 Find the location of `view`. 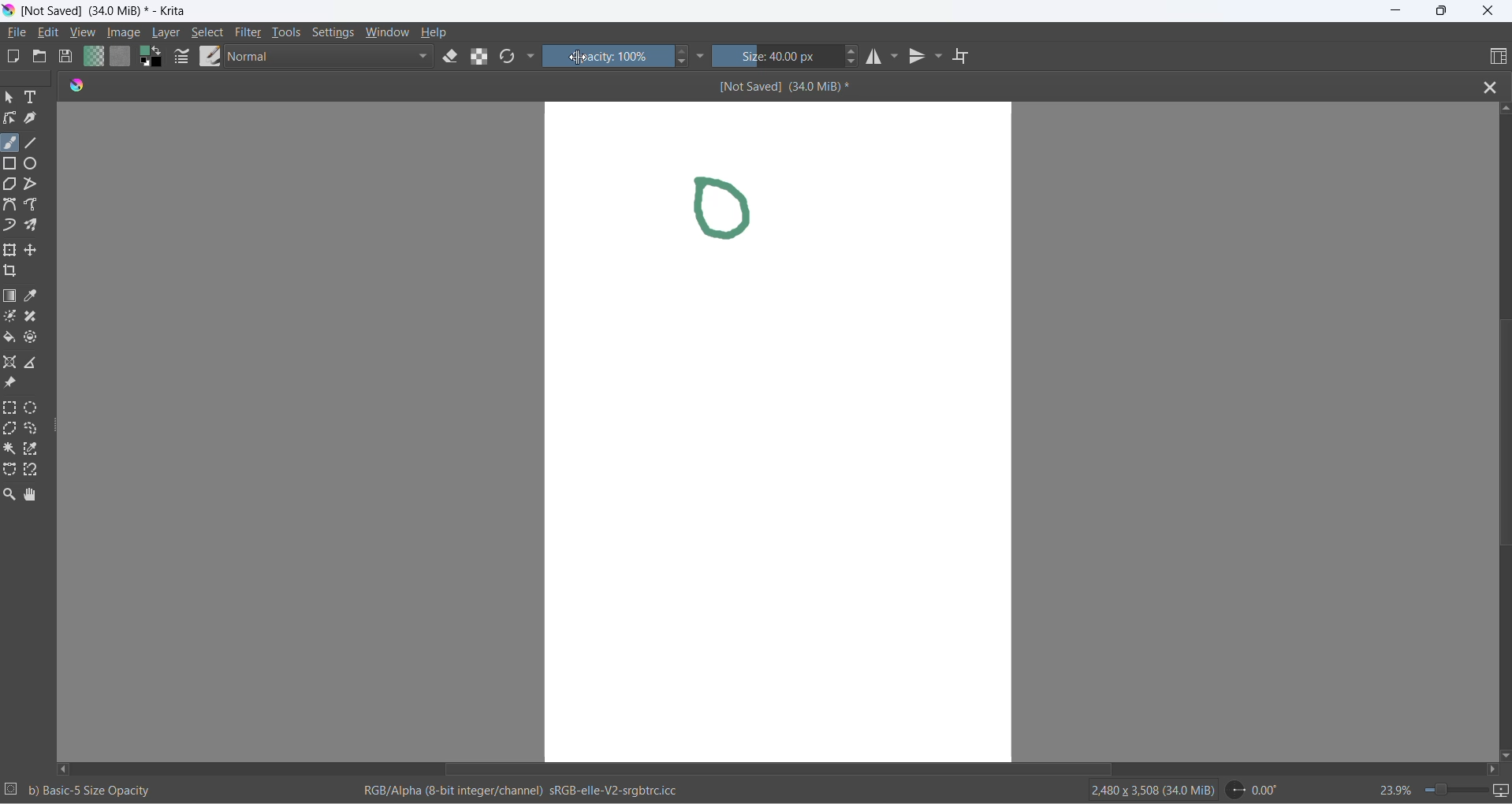

view is located at coordinates (84, 32).